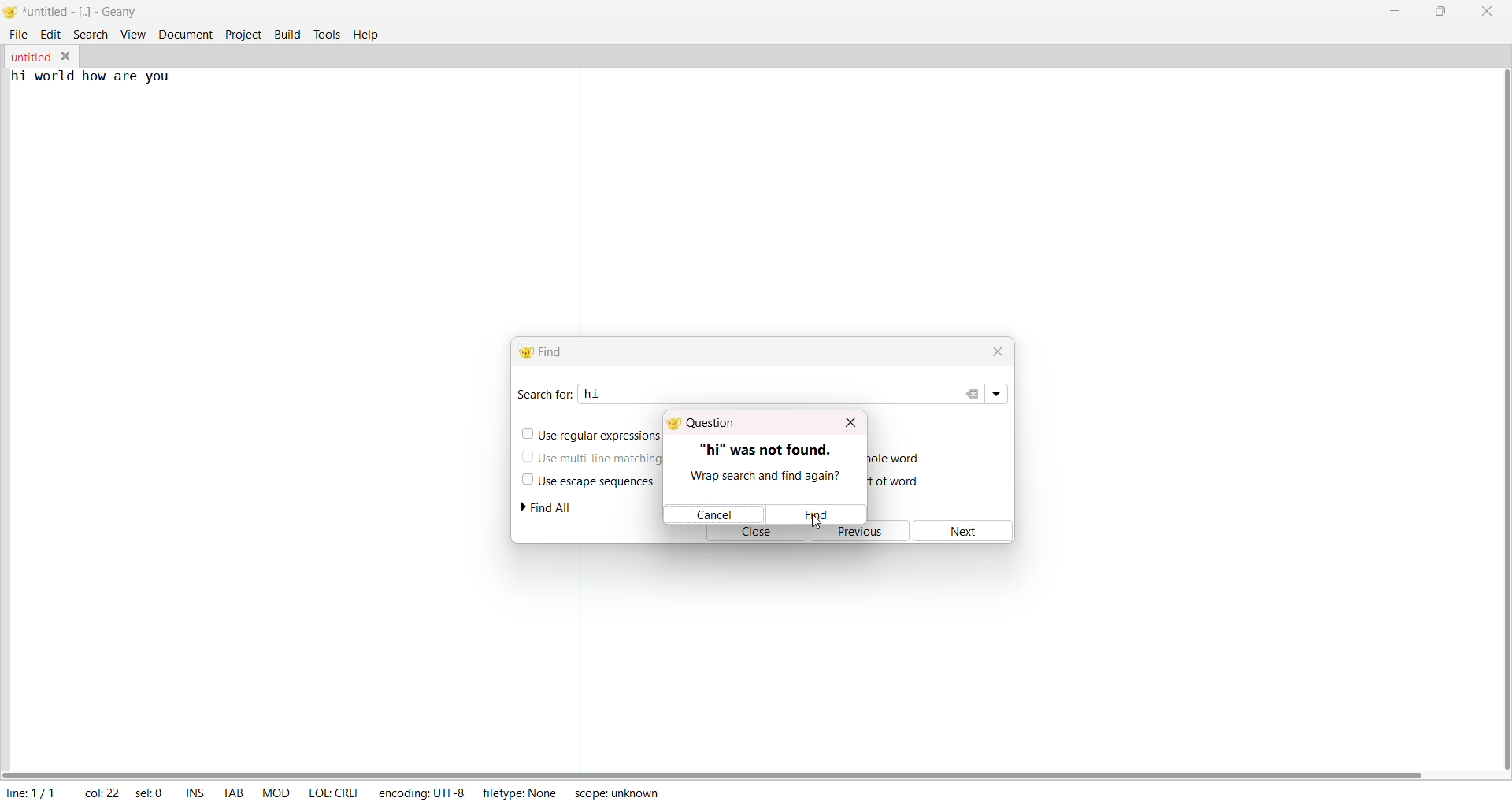  What do you see at coordinates (596, 393) in the screenshot?
I see `hi` at bounding box center [596, 393].